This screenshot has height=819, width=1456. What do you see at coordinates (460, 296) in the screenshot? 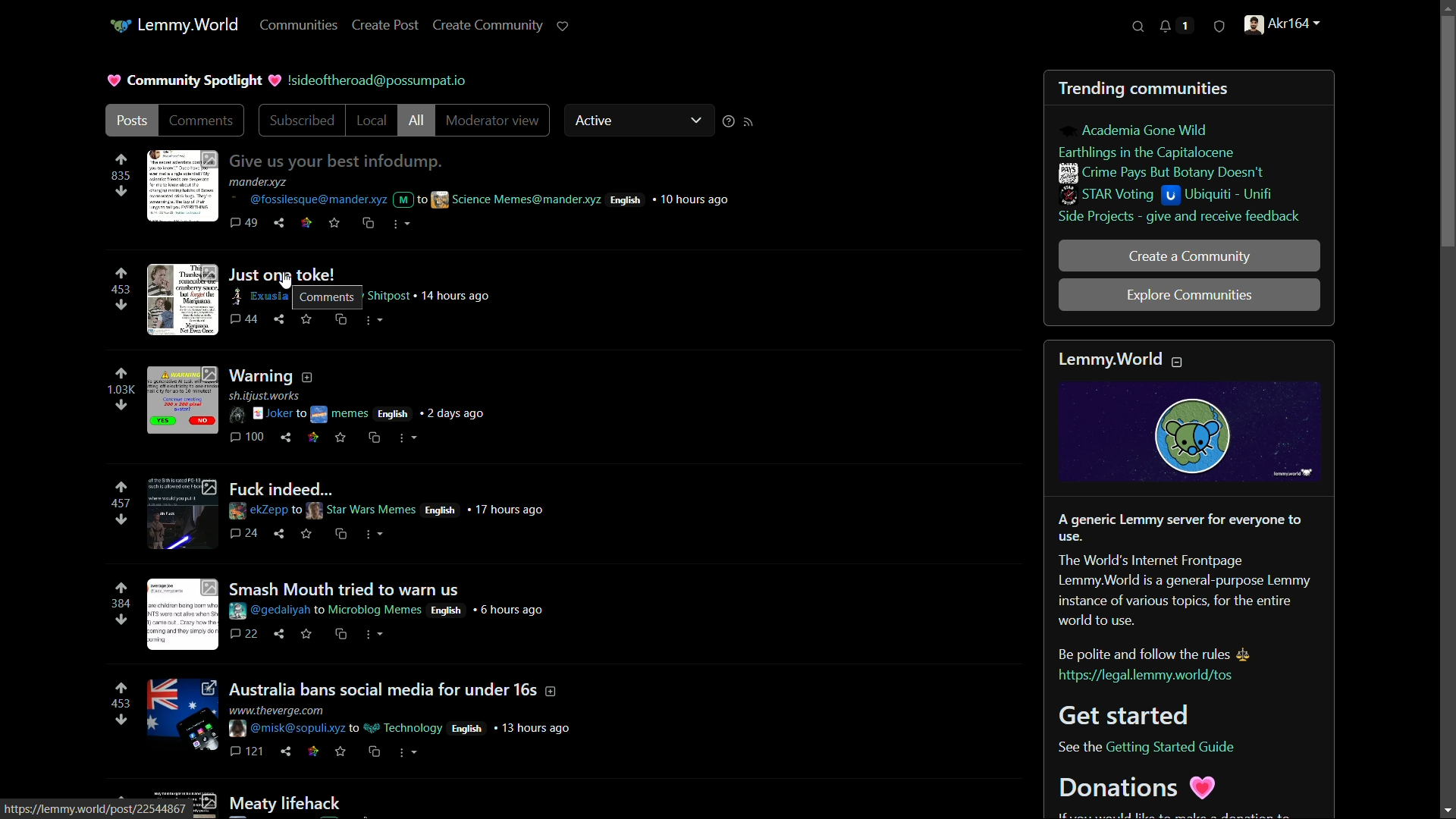
I see `14 hours ago` at bounding box center [460, 296].